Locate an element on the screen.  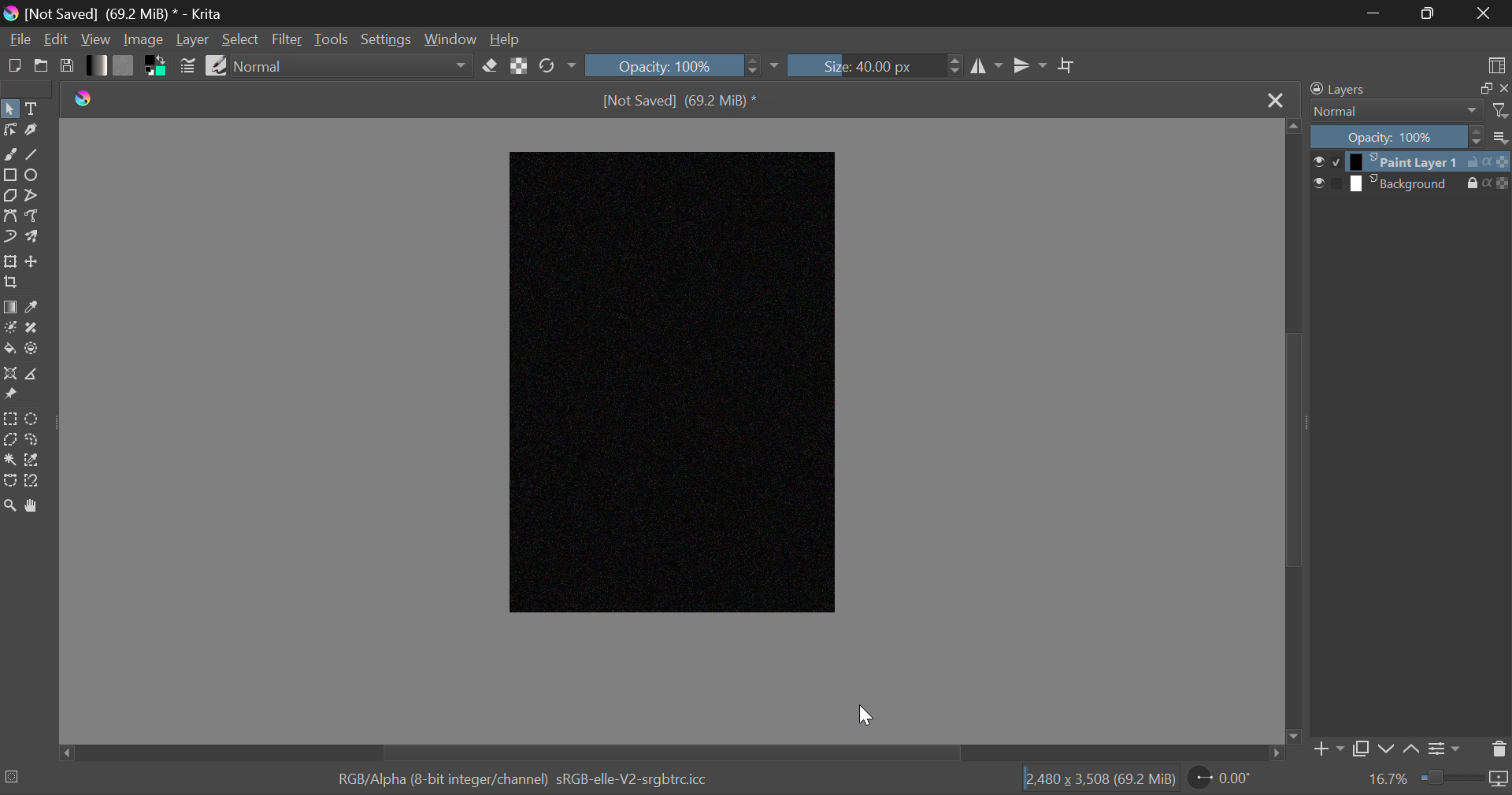
Circular Selection is located at coordinates (35, 419).